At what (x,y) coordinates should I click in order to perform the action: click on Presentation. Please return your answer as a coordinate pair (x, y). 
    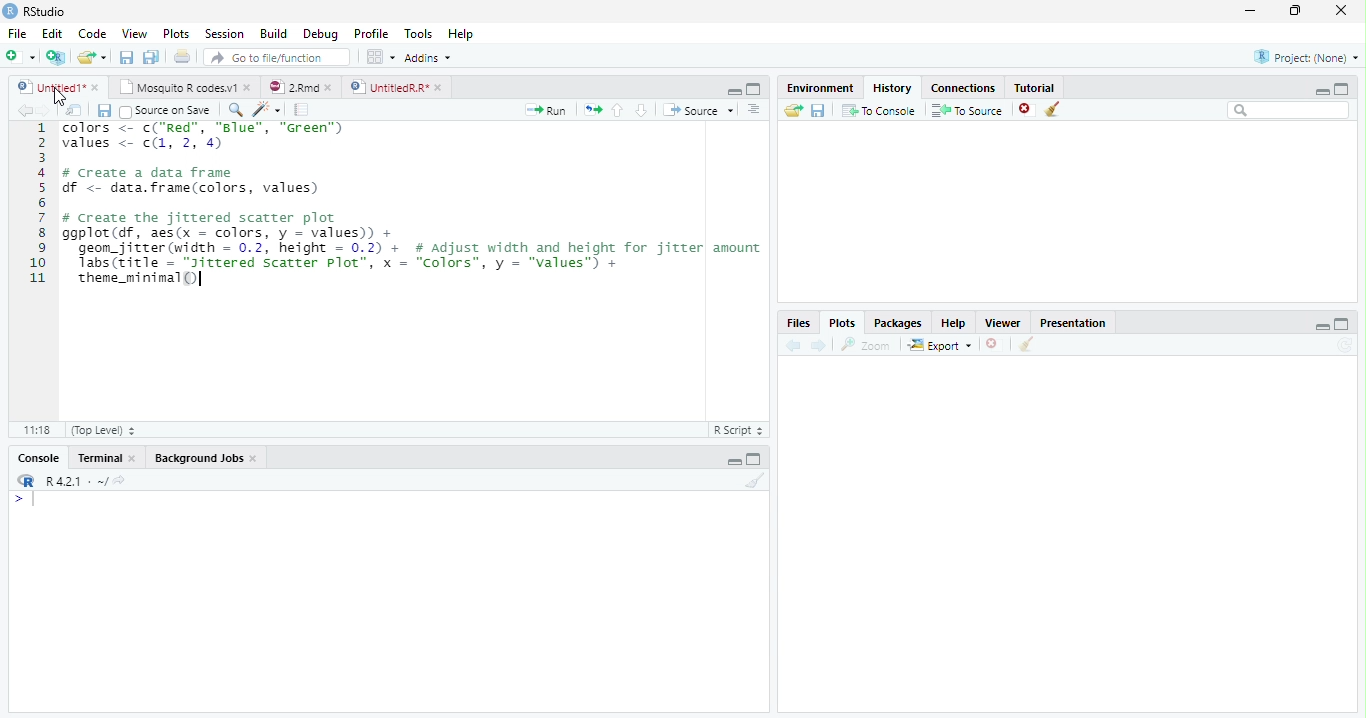
    Looking at the image, I should click on (1072, 322).